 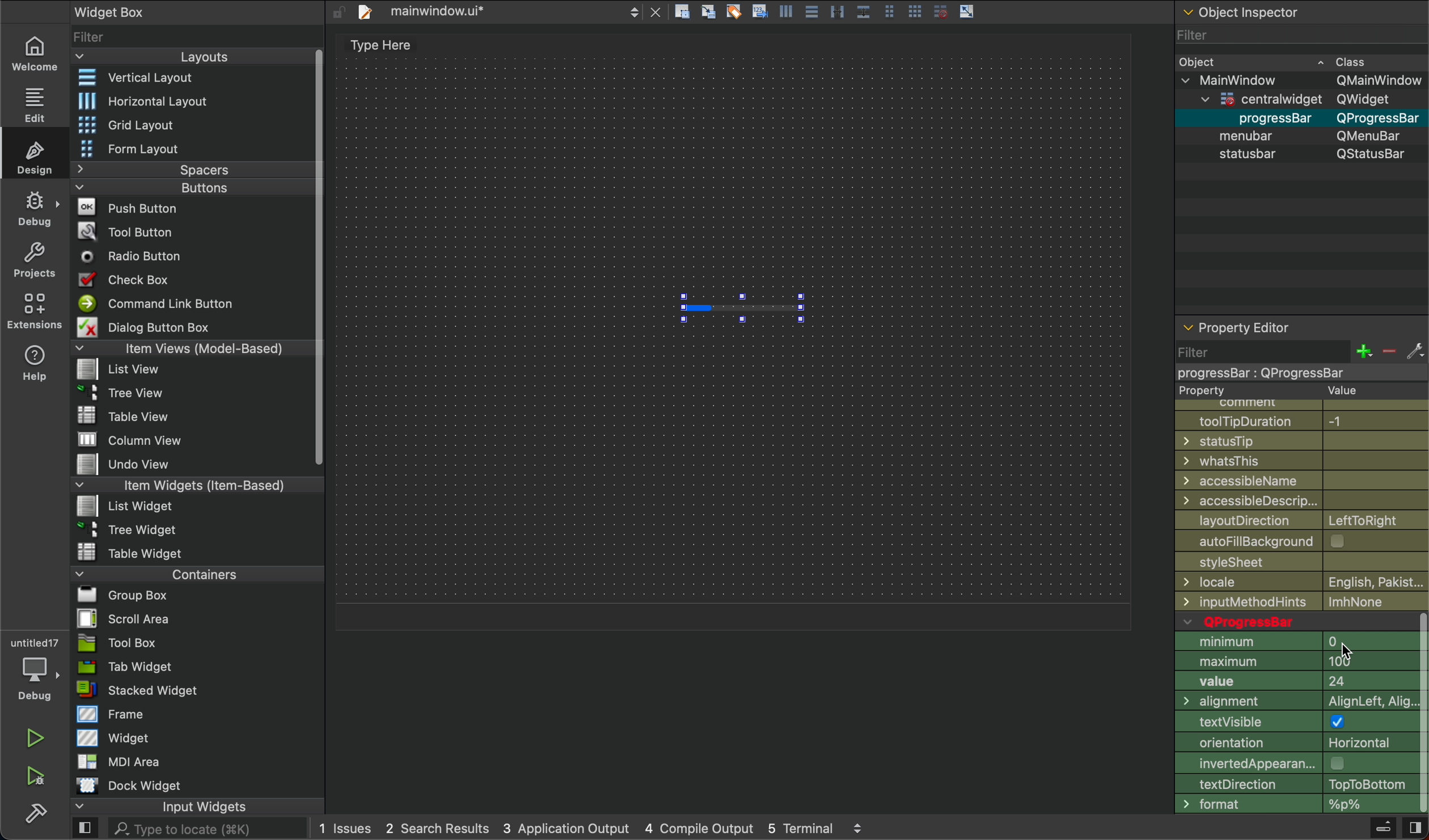 I want to click on object inspector, so click(x=1300, y=12).